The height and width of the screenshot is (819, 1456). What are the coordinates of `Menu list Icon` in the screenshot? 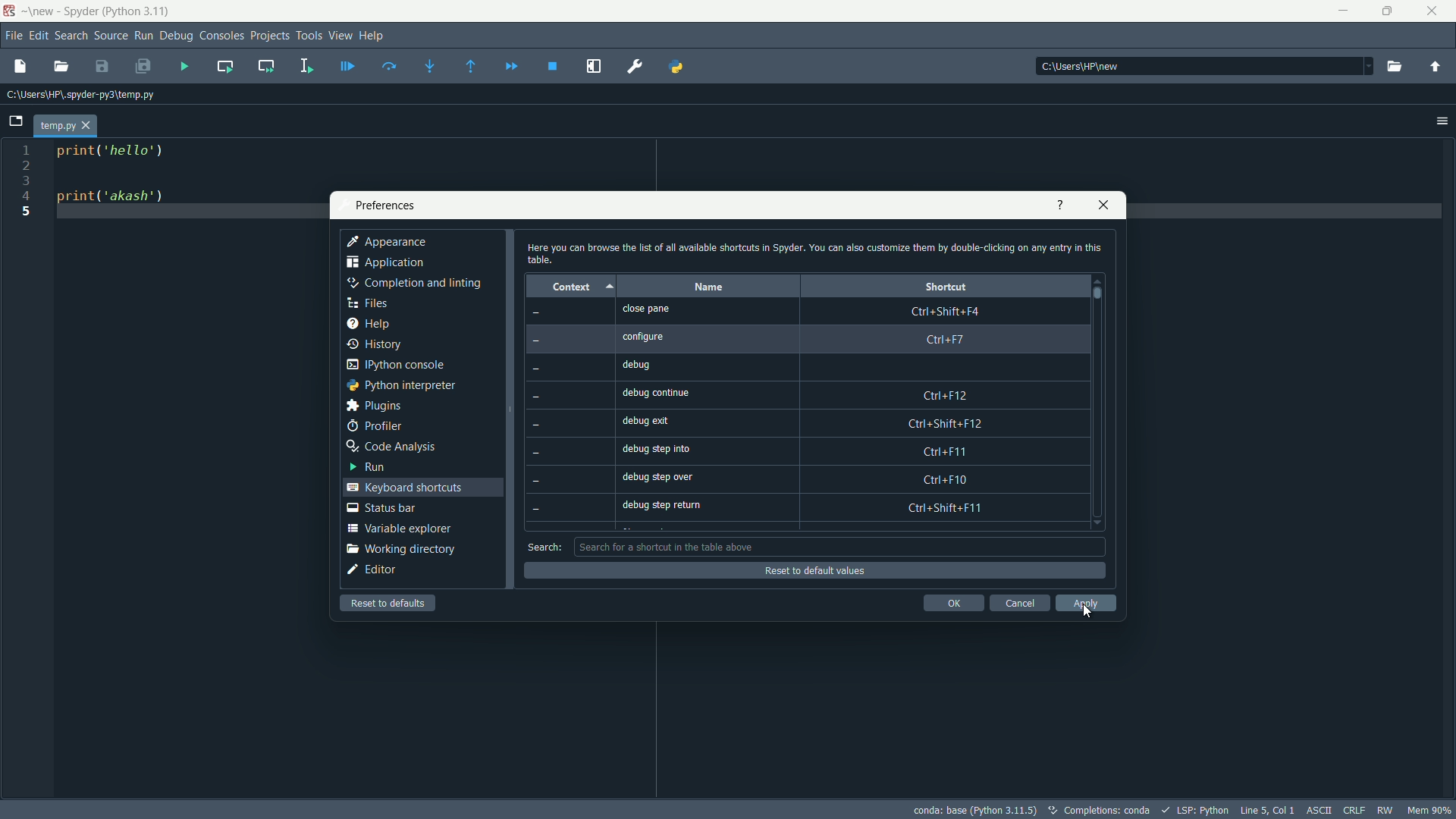 It's located at (1369, 64).